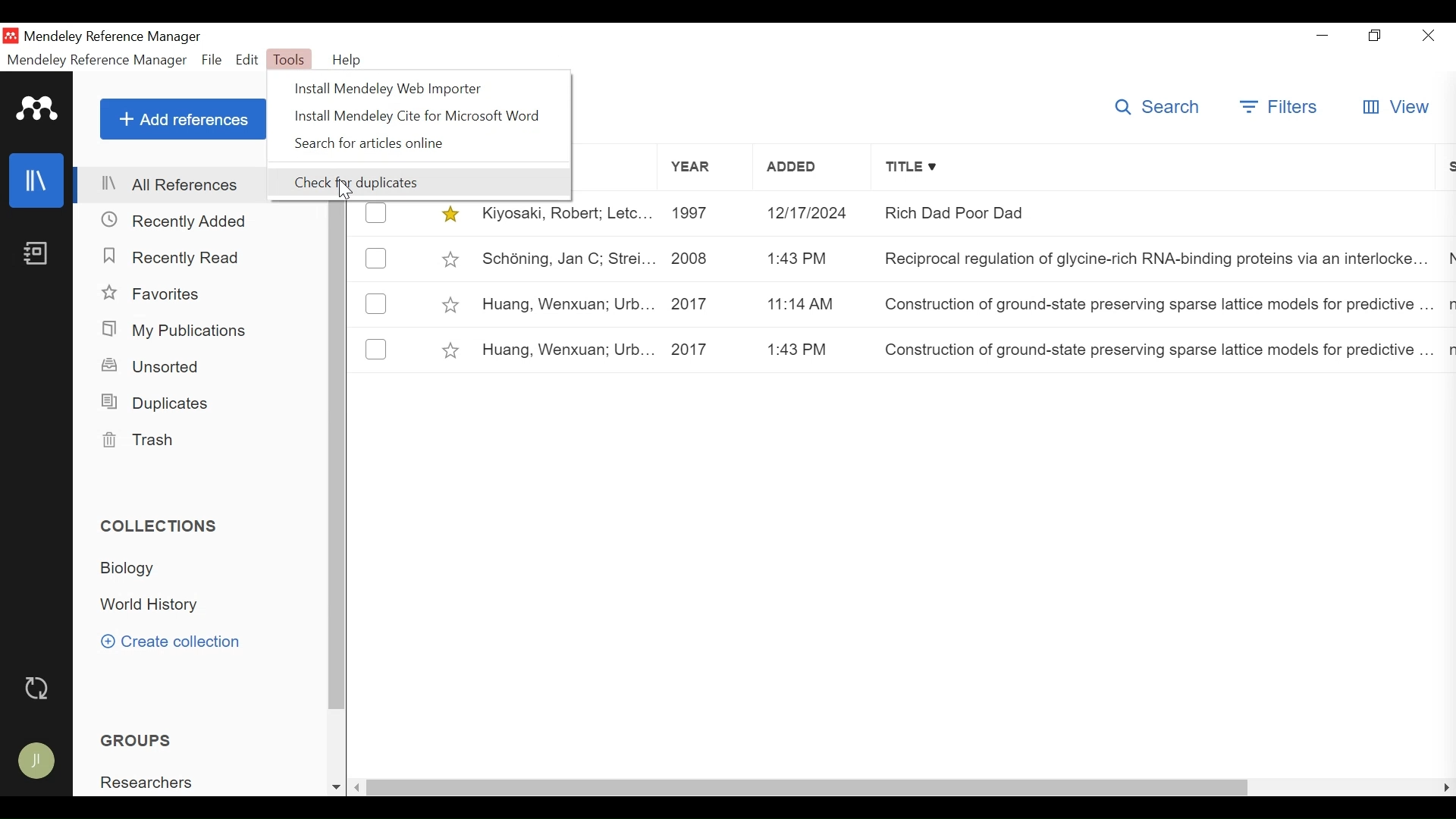  Describe the element at coordinates (375, 212) in the screenshot. I see `(un)select` at that location.